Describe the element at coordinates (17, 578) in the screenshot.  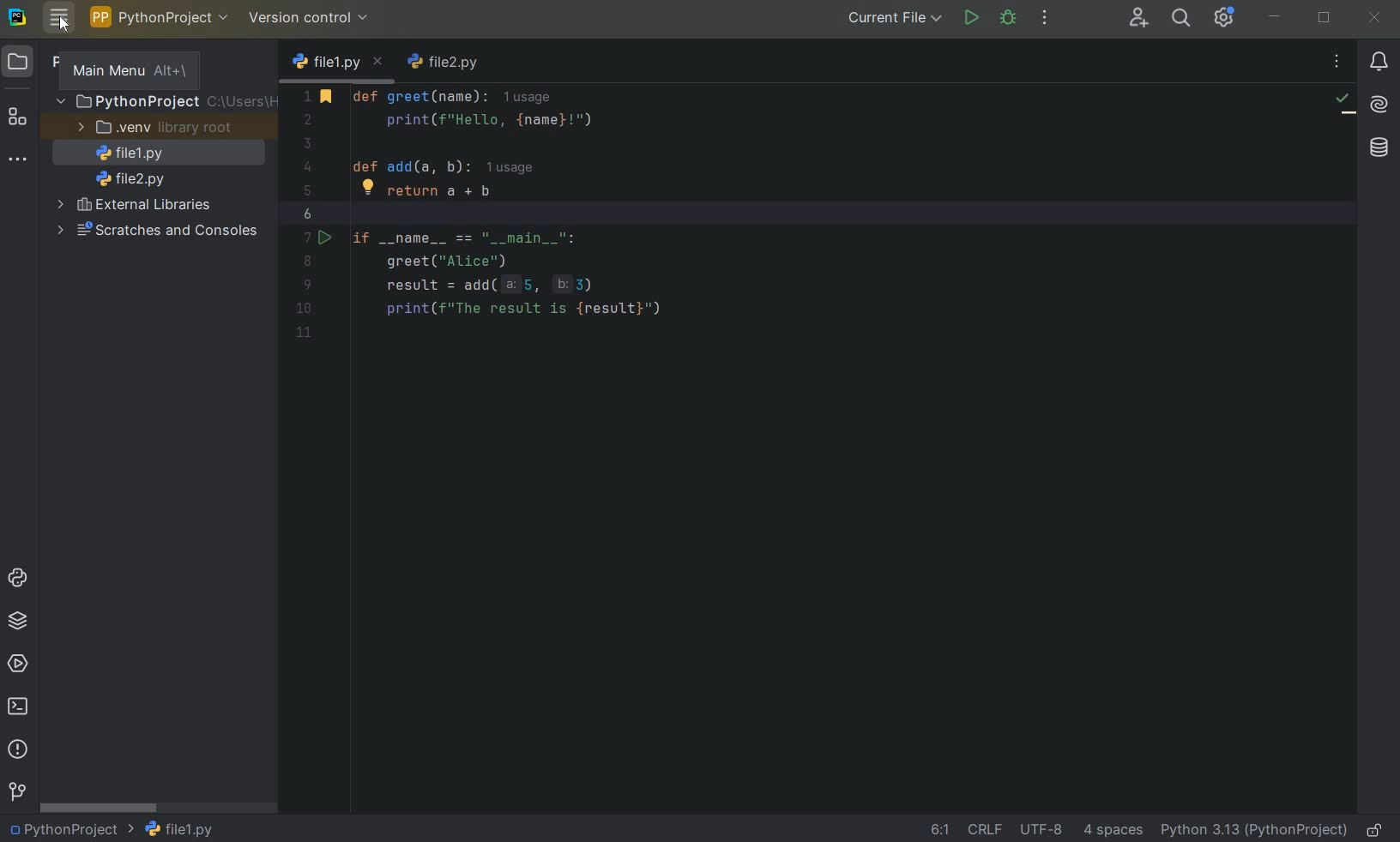
I see `python console` at that location.